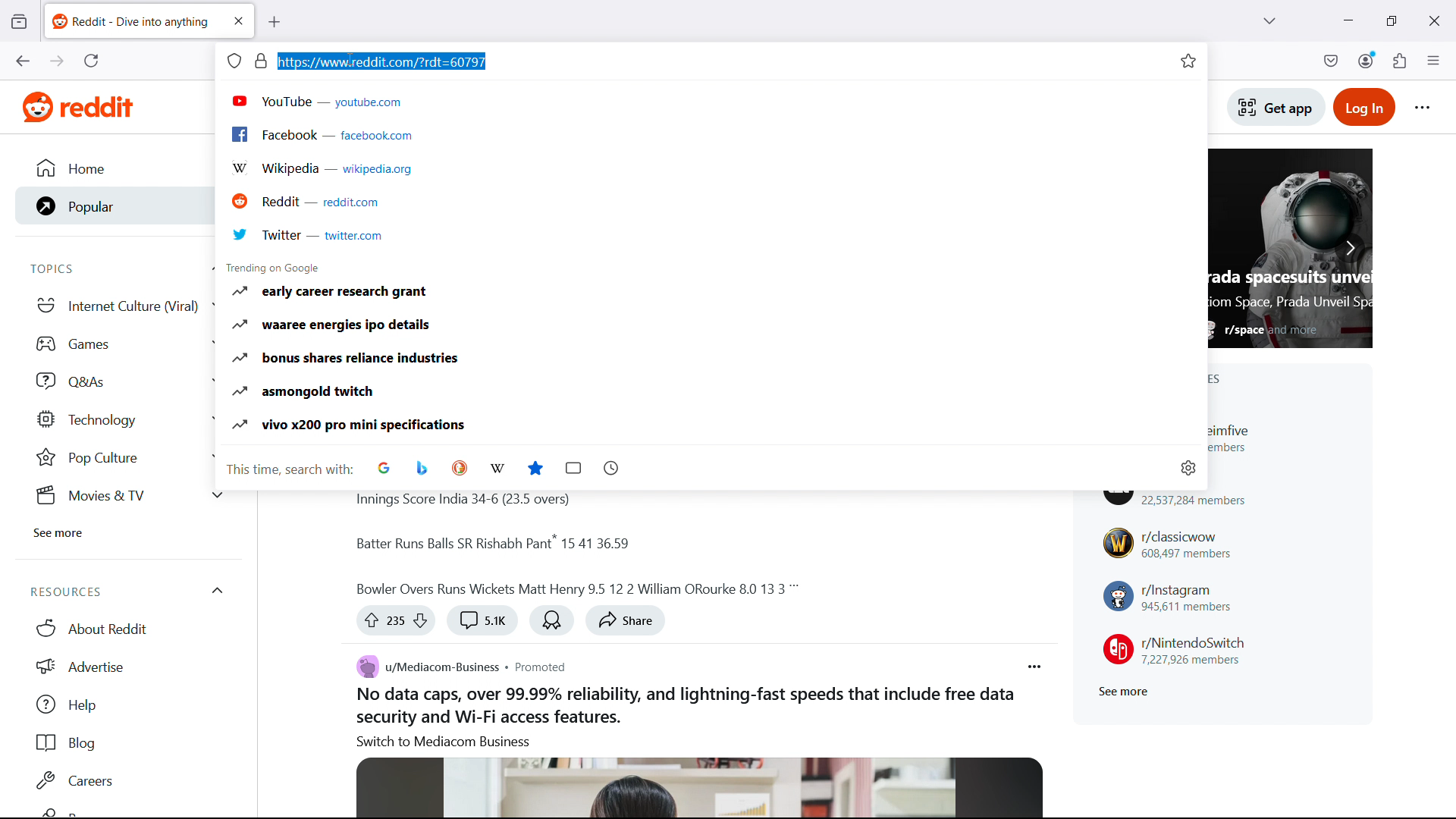  Describe the element at coordinates (235, 60) in the screenshot. I see `site information` at that location.